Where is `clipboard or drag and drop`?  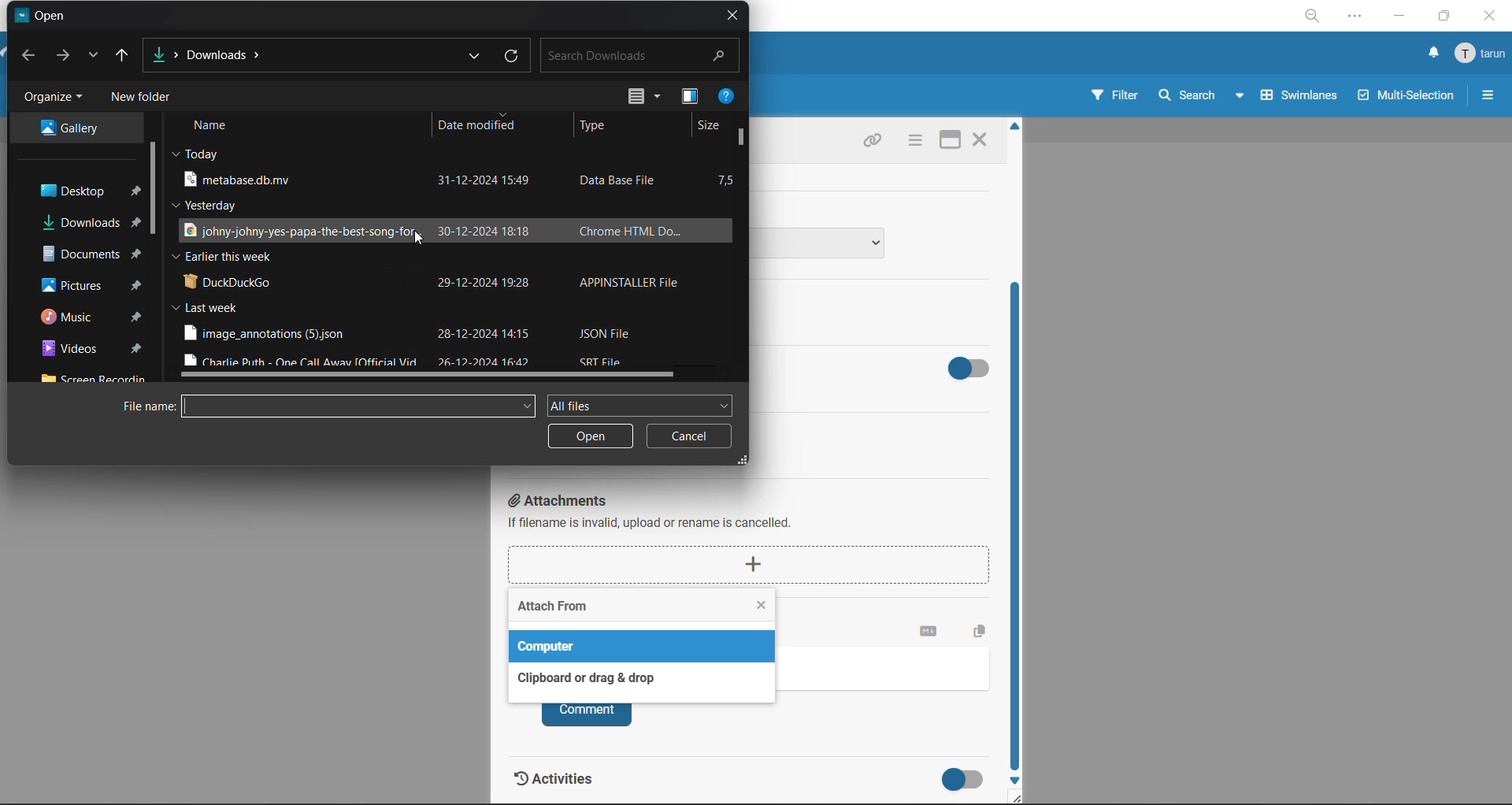
clipboard or drag and drop is located at coordinates (581, 678).